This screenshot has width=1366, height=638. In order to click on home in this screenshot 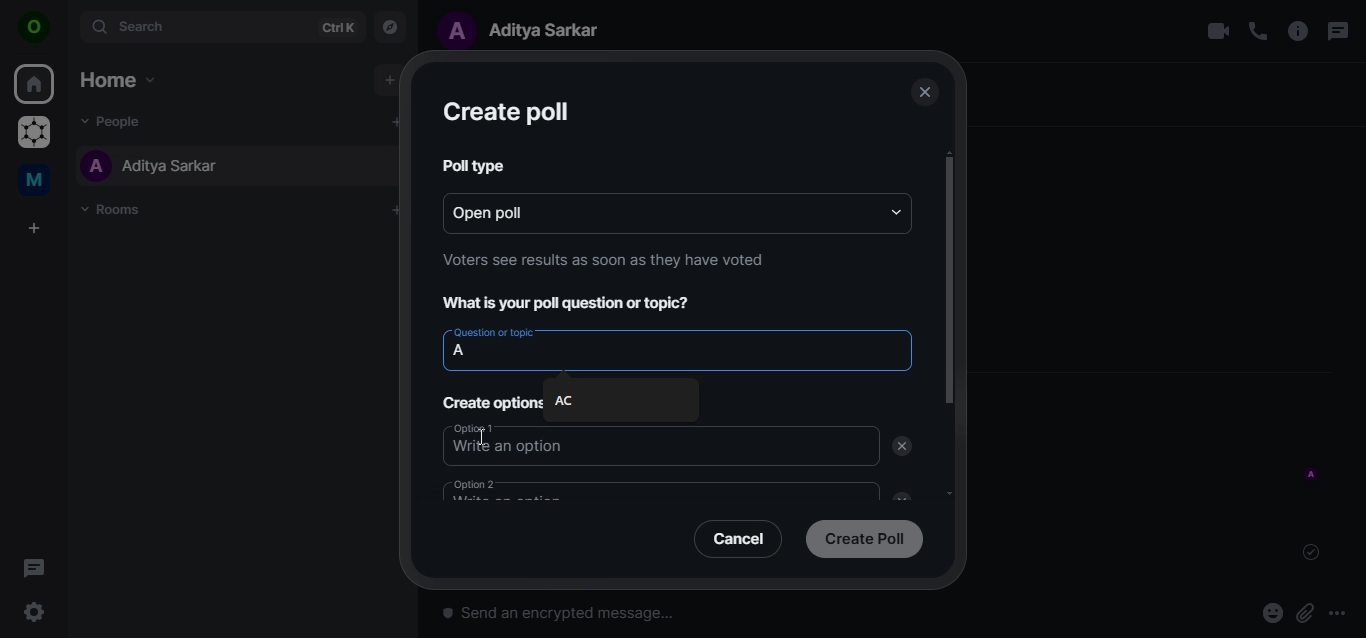, I will do `click(116, 79)`.